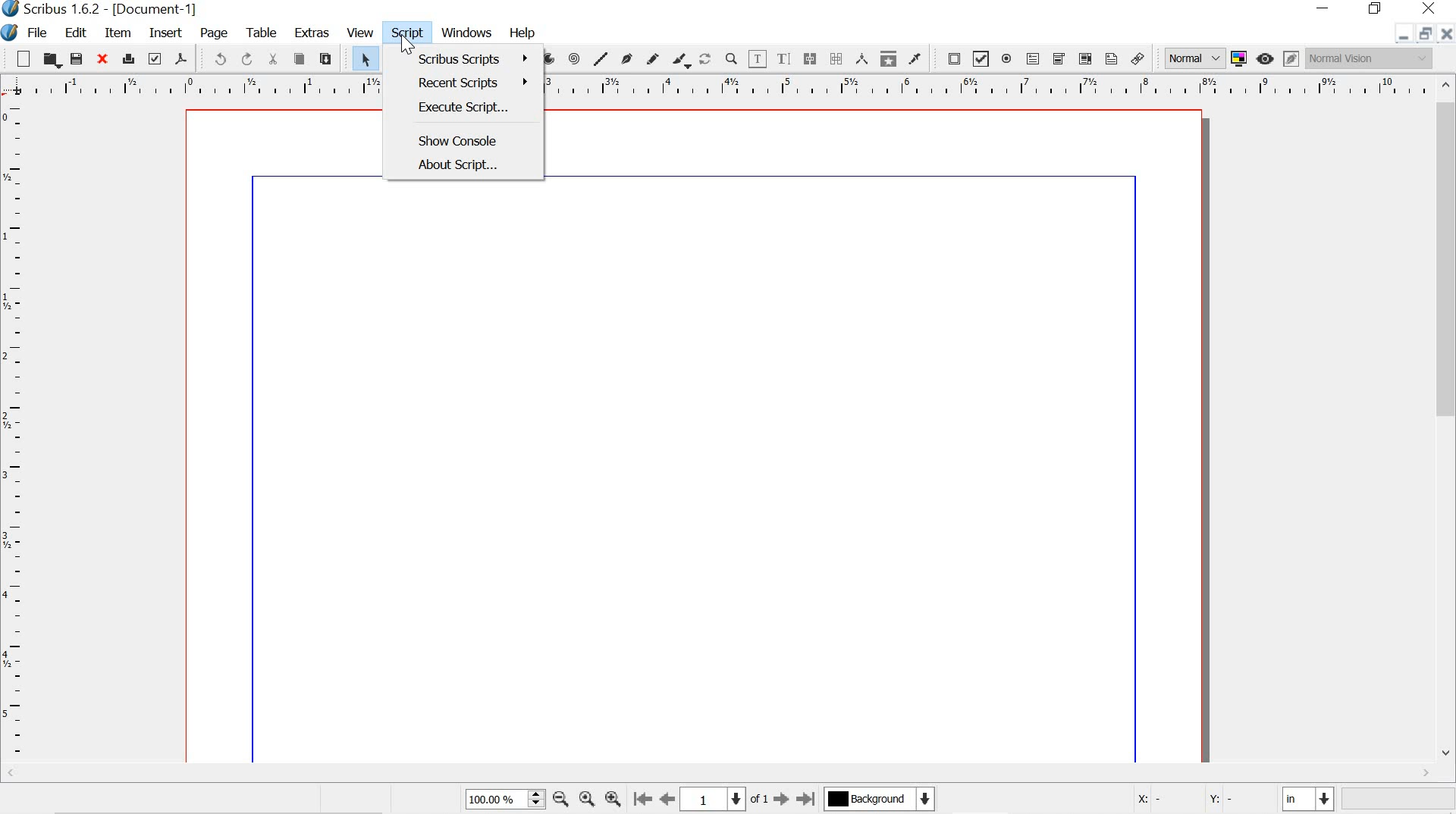  I want to click on link annotation, so click(1140, 59).